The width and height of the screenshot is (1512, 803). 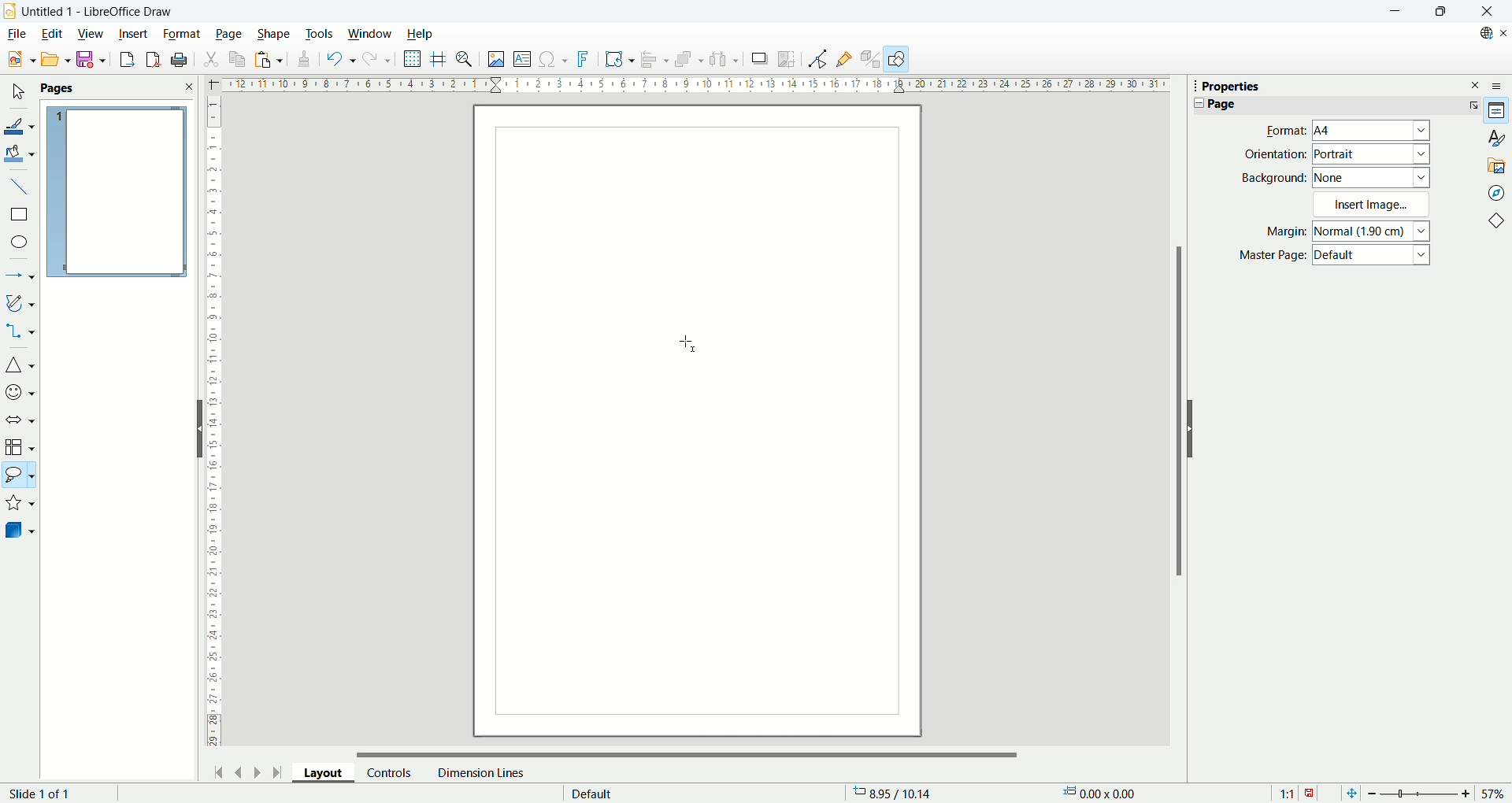 What do you see at coordinates (117, 193) in the screenshot?
I see `page` at bounding box center [117, 193].